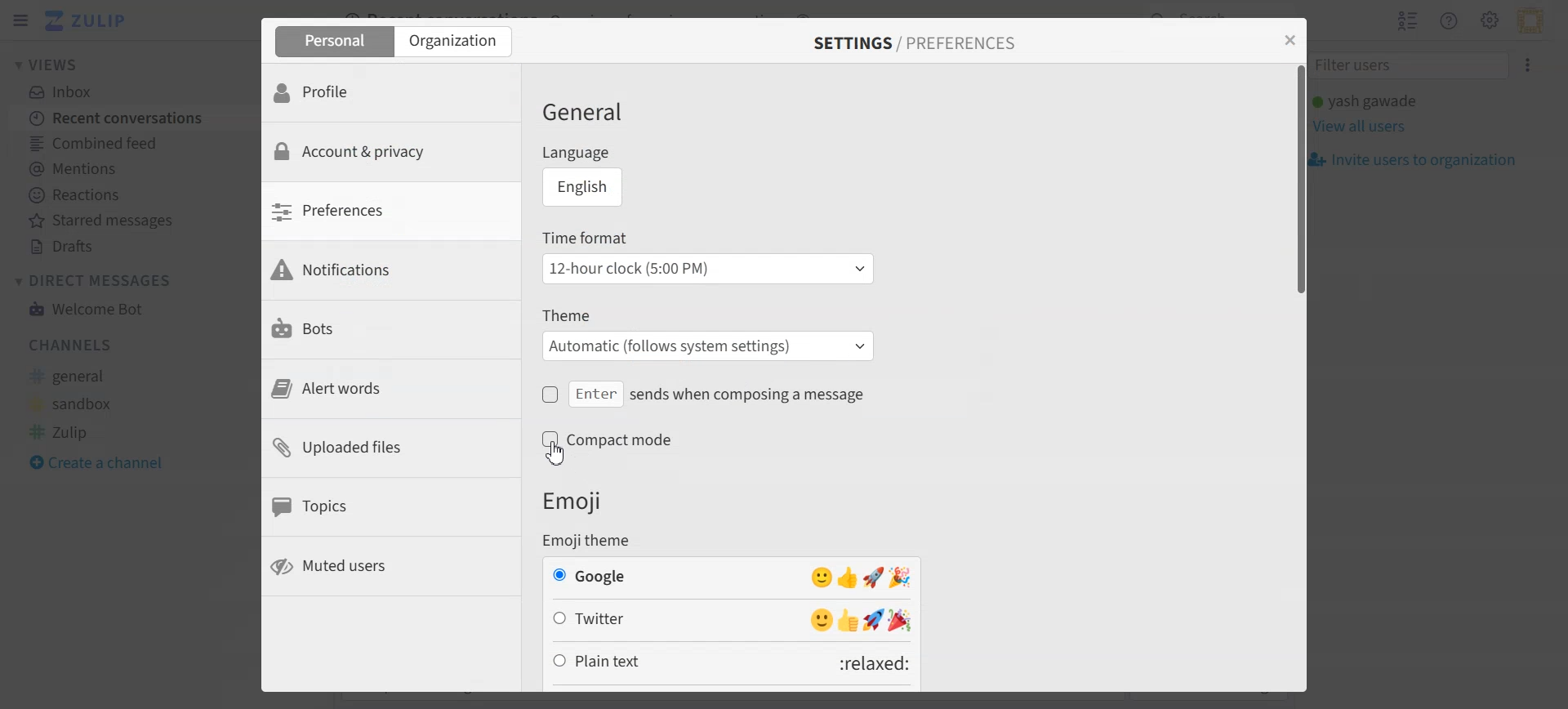  Describe the element at coordinates (390, 91) in the screenshot. I see `Profile` at that location.